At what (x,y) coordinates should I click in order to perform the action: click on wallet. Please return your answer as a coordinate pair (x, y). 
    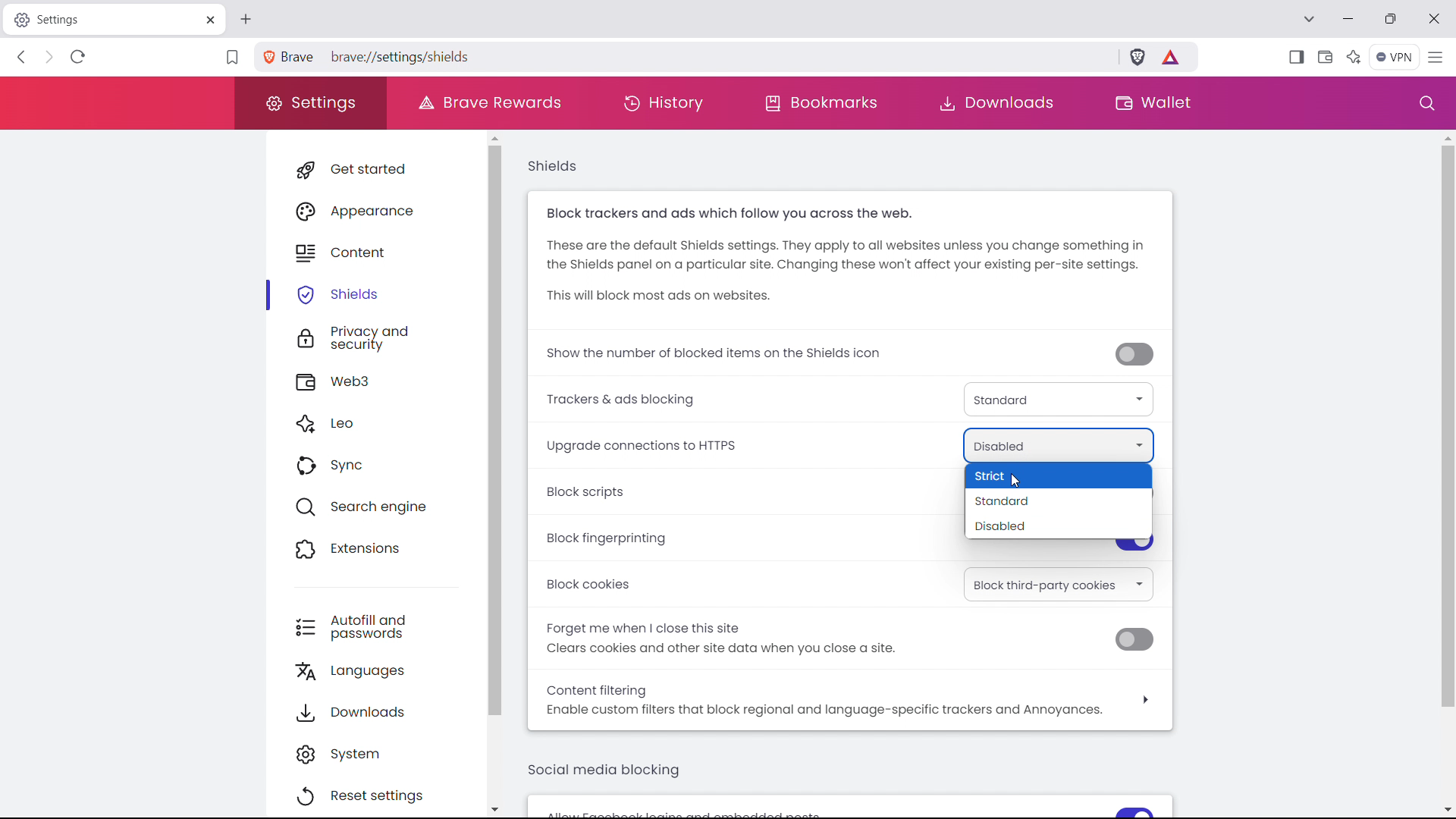
    Looking at the image, I should click on (1324, 57).